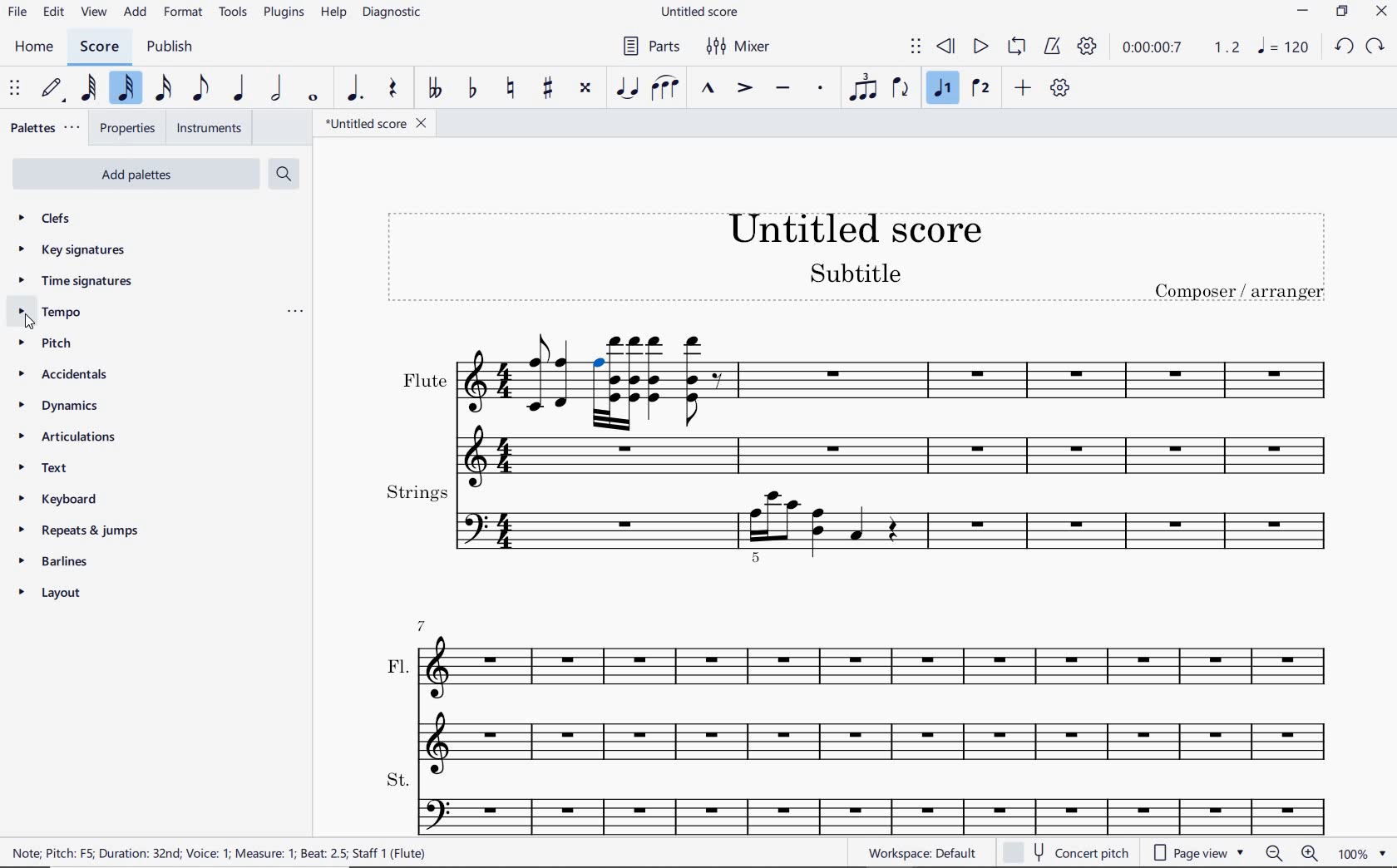 The width and height of the screenshot is (1397, 868). What do you see at coordinates (68, 405) in the screenshot?
I see `dynamics` at bounding box center [68, 405].